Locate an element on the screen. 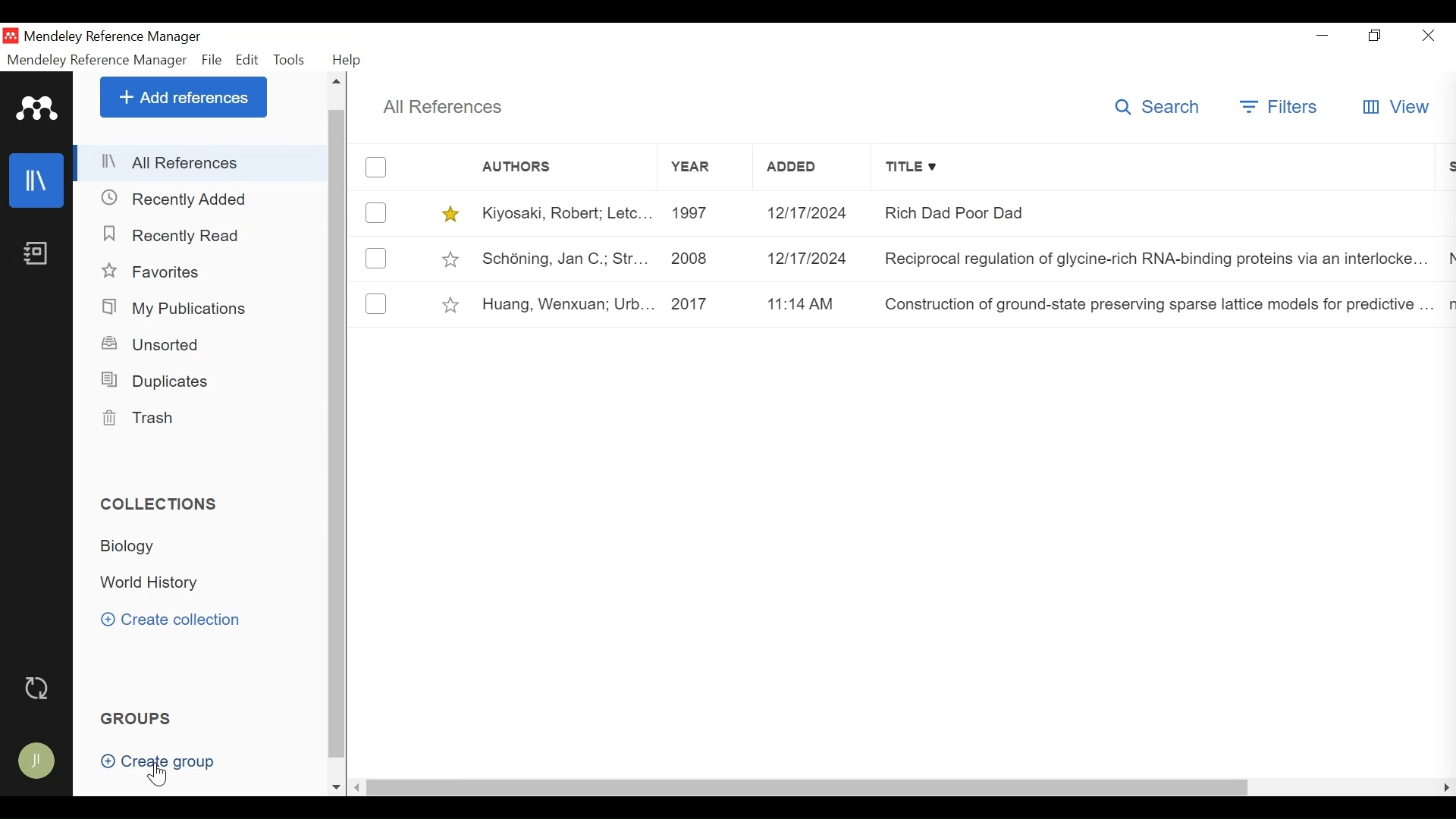  Edit is located at coordinates (246, 60).